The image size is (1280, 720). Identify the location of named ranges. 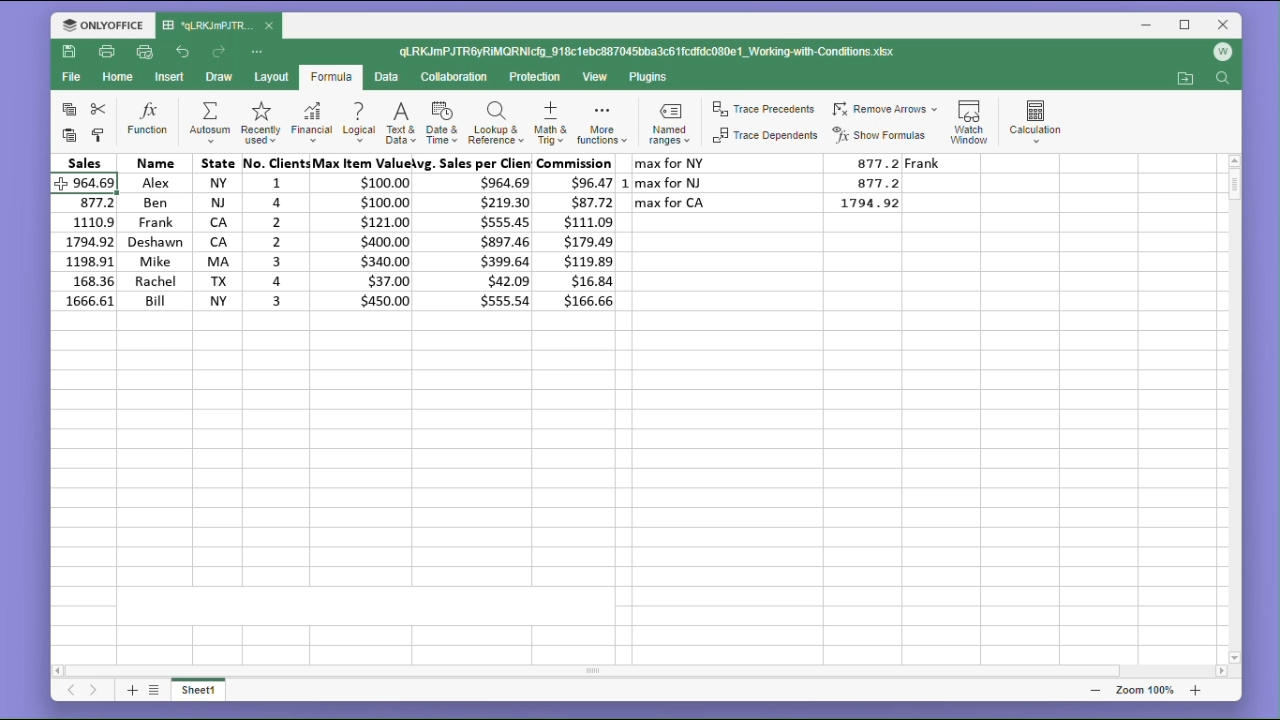
(667, 123).